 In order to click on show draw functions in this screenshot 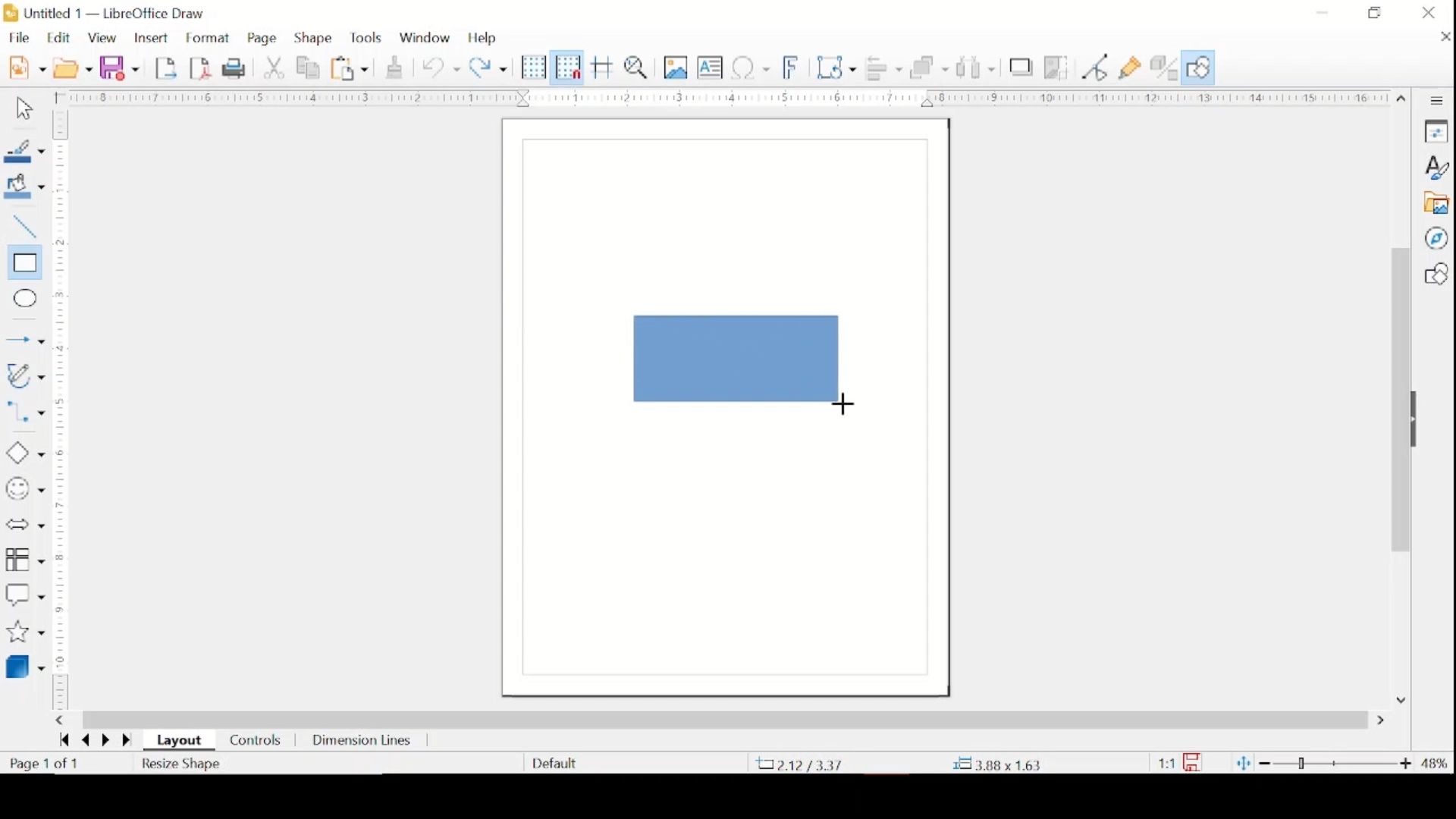, I will do `click(1198, 67)`.